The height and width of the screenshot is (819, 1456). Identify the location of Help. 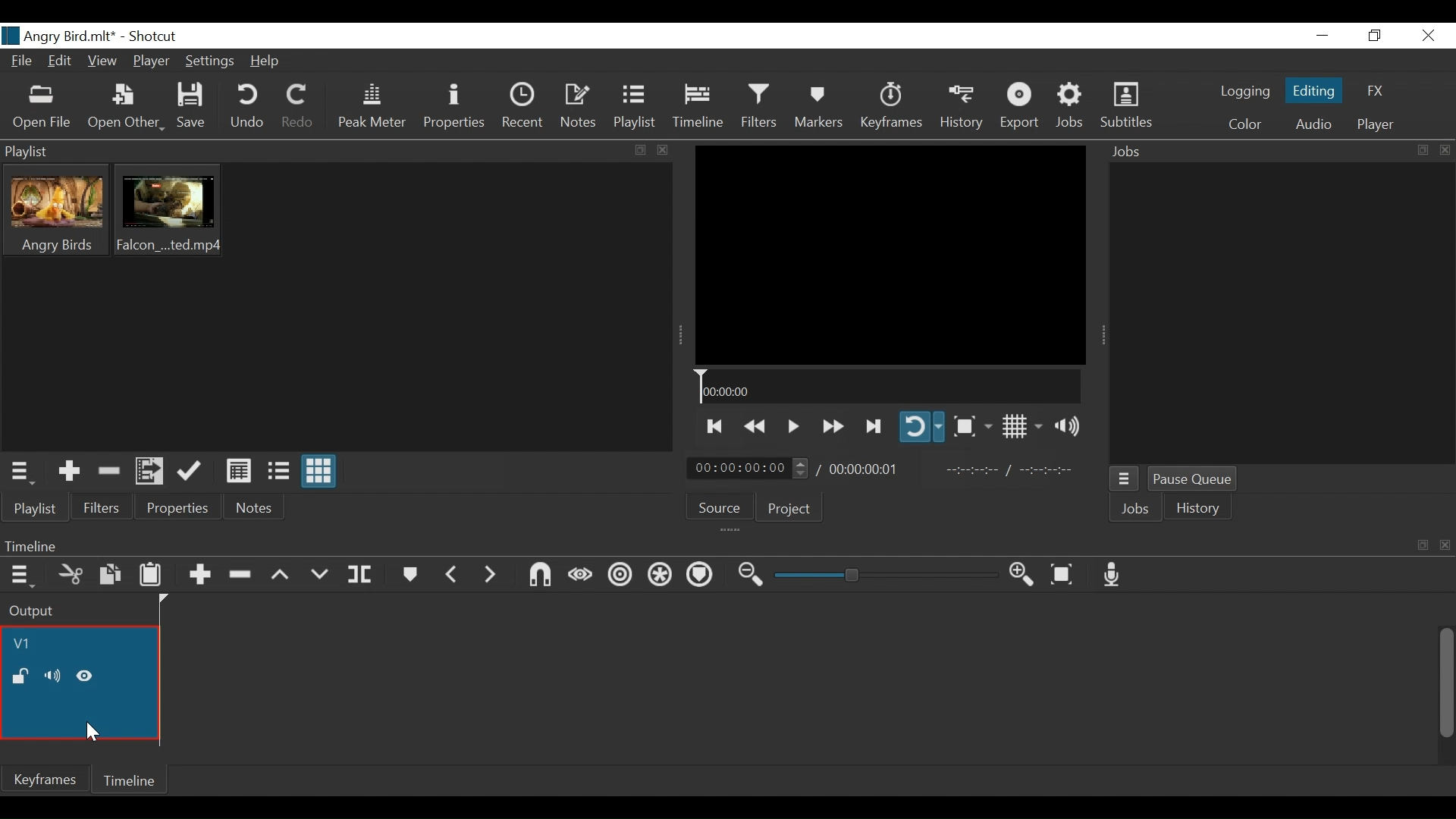
(266, 61).